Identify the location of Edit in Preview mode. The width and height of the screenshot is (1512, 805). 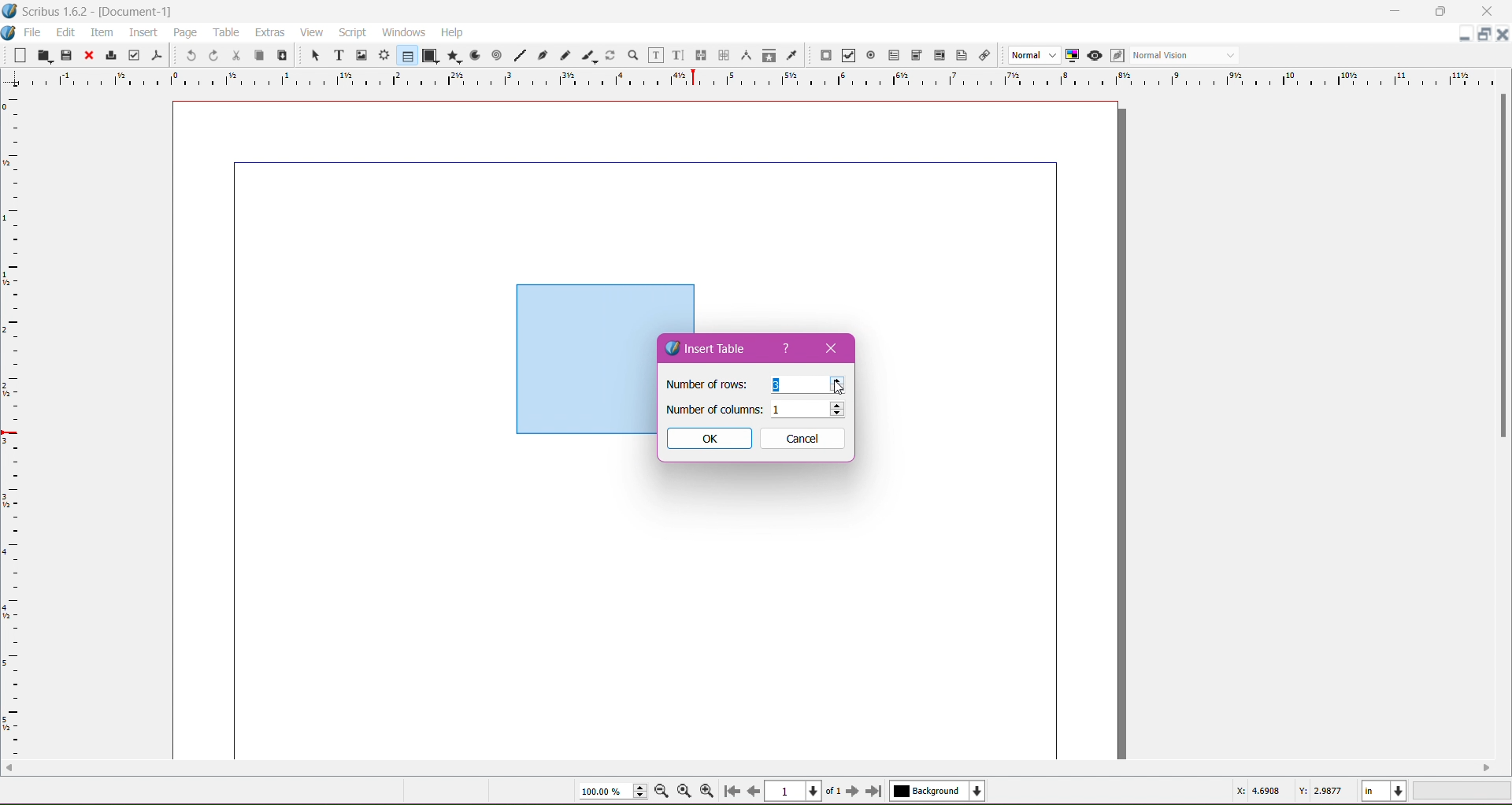
(1116, 55).